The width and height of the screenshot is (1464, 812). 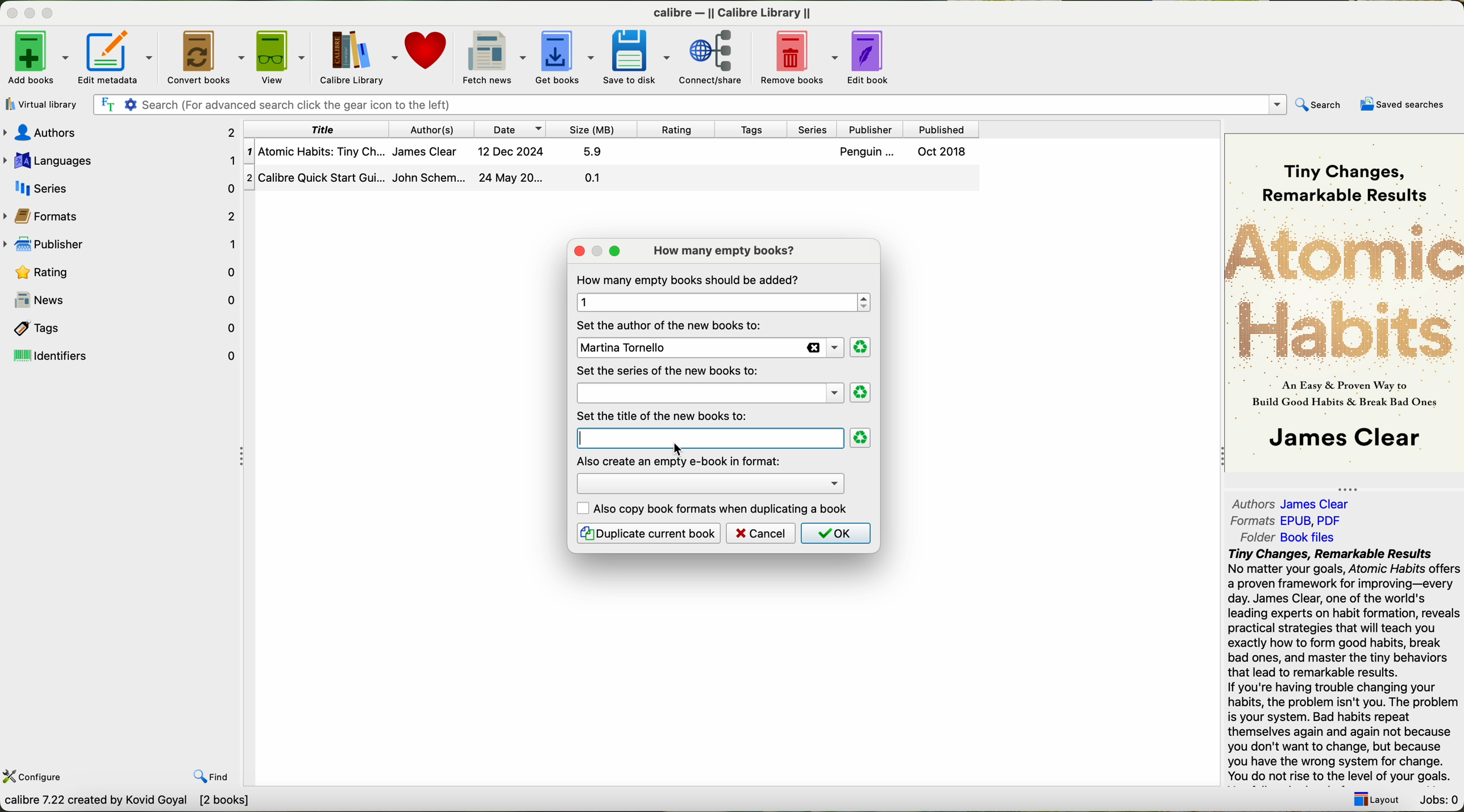 I want to click on publisher, so click(x=875, y=129).